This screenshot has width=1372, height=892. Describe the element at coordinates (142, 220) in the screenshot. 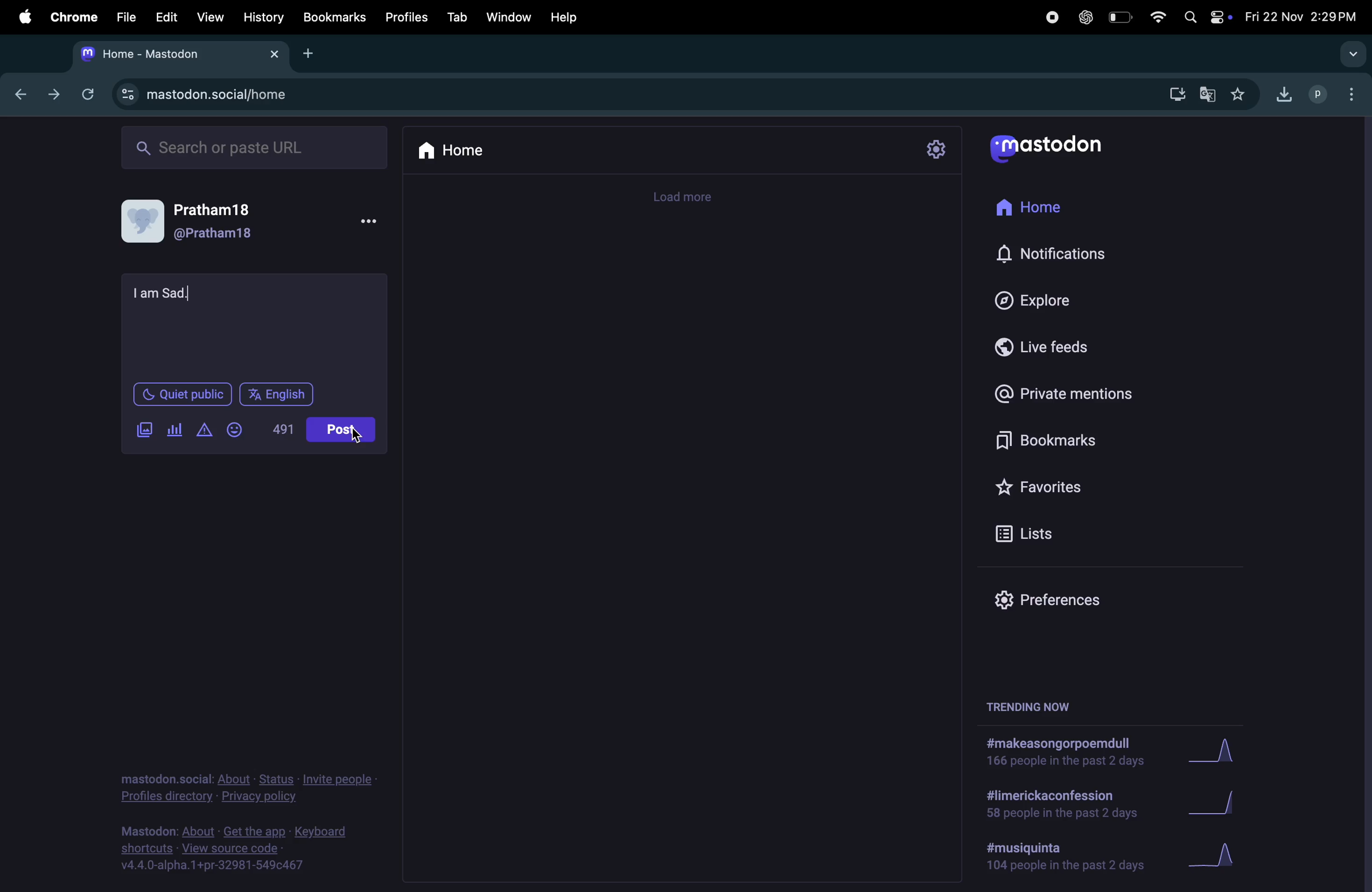

I see `display picture` at that location.